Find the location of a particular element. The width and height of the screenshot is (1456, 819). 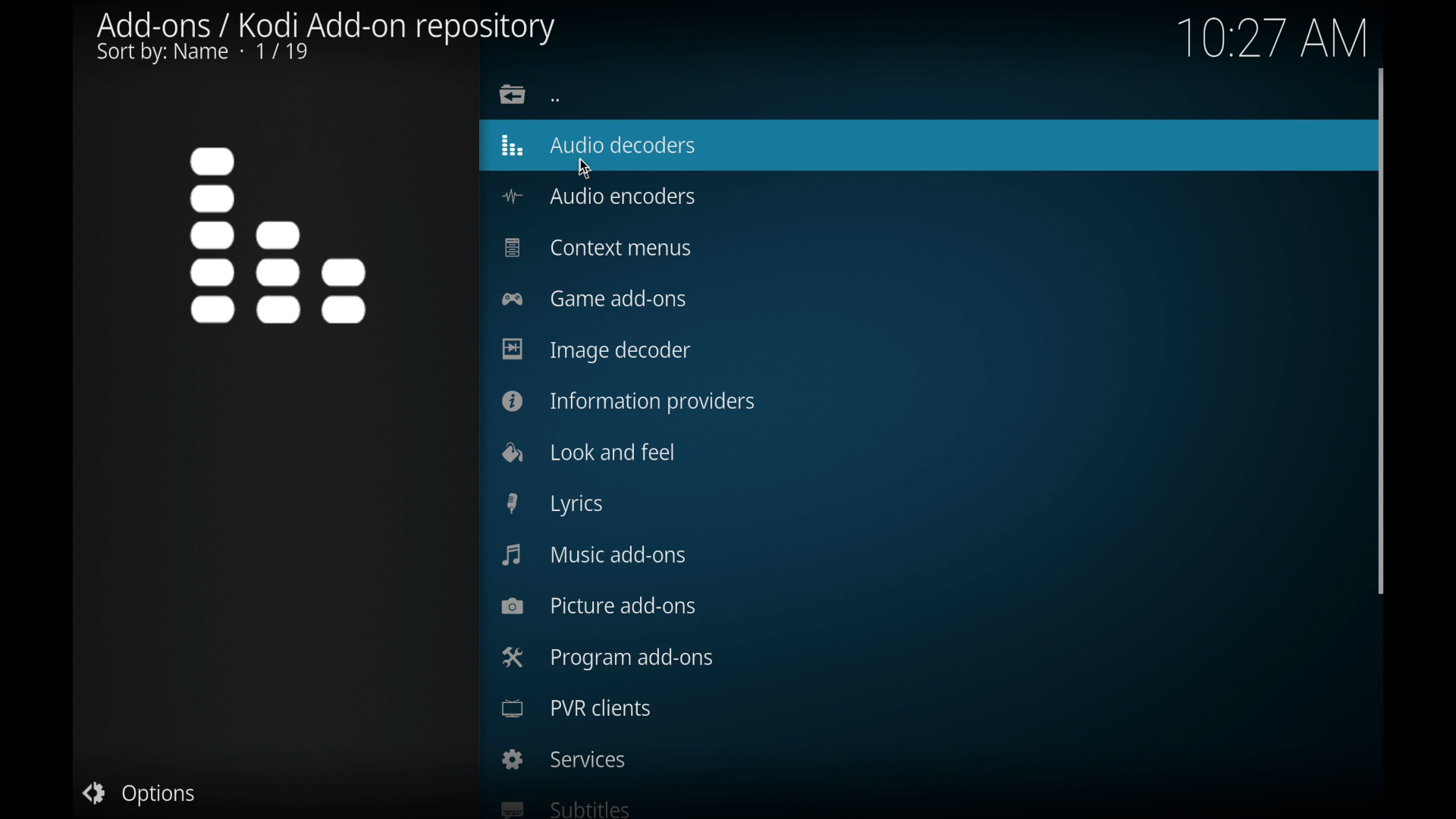

options is located at coordinates (140, 795).